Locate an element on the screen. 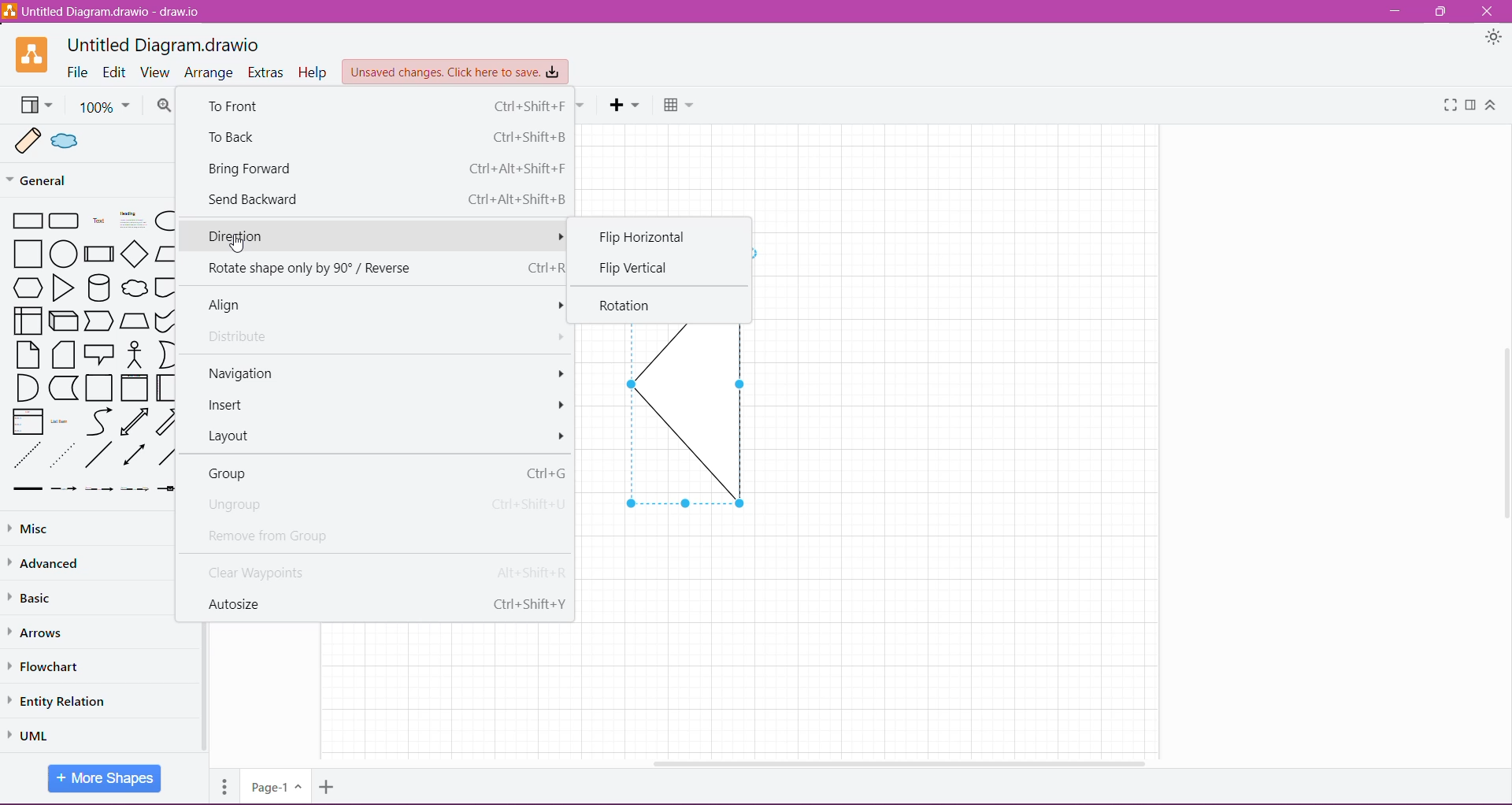  Untitled Diagram.draw.io is located at coordinates (169, 43).